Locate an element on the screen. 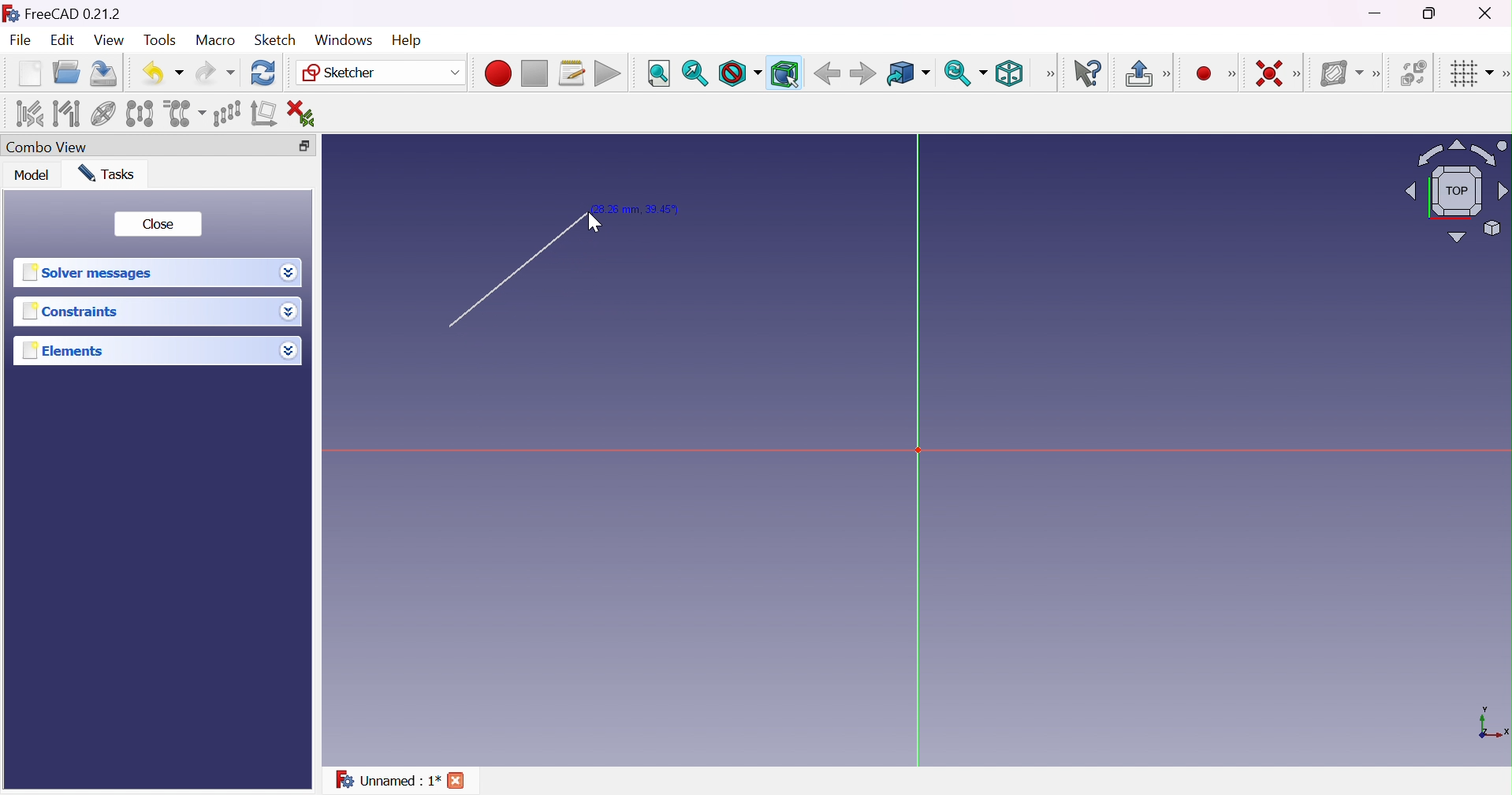  Stop macros recording is located at coordinates (534, 74).